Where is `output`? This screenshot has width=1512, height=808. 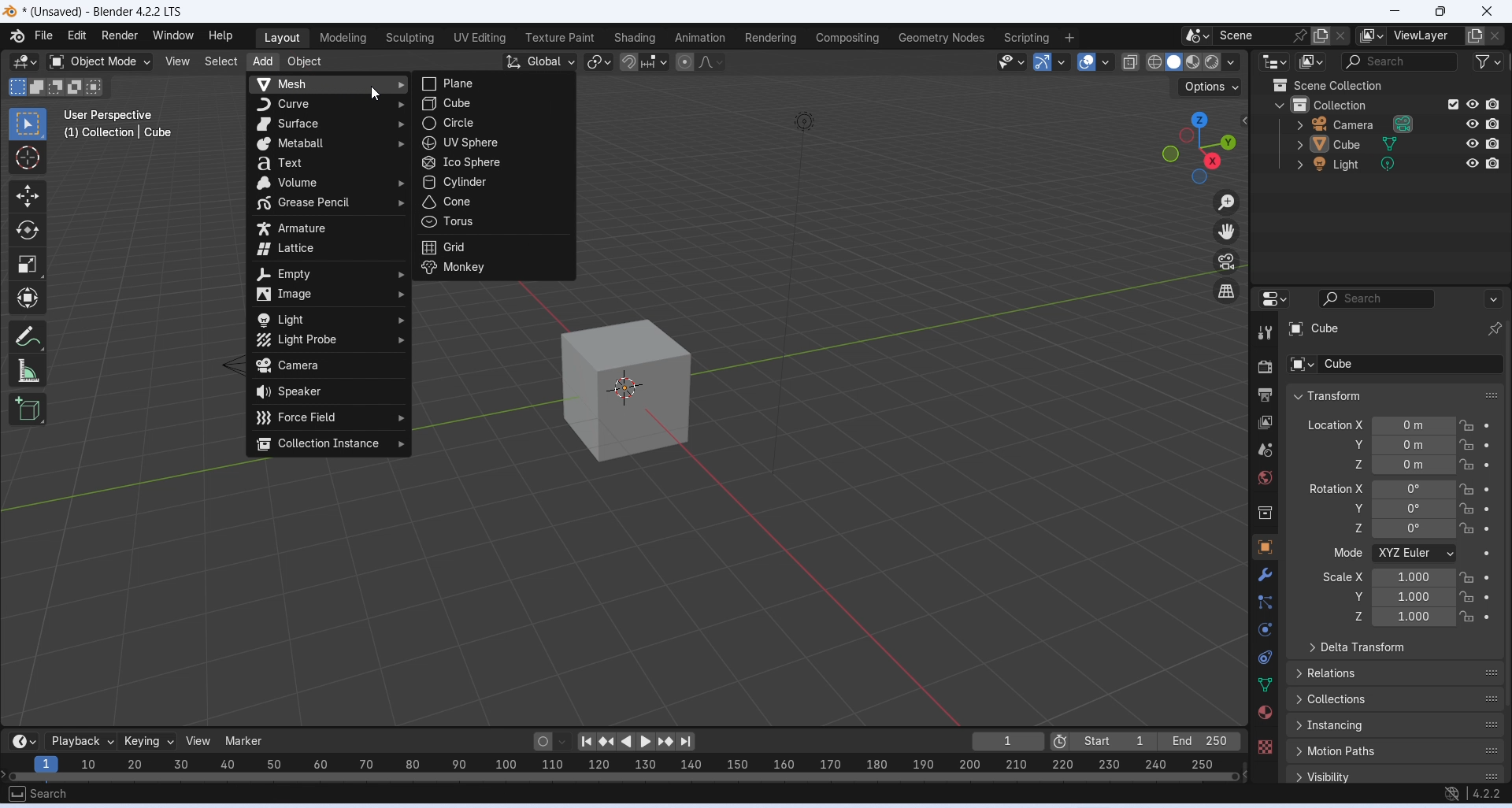 output is located at coordinates (1265, 395).